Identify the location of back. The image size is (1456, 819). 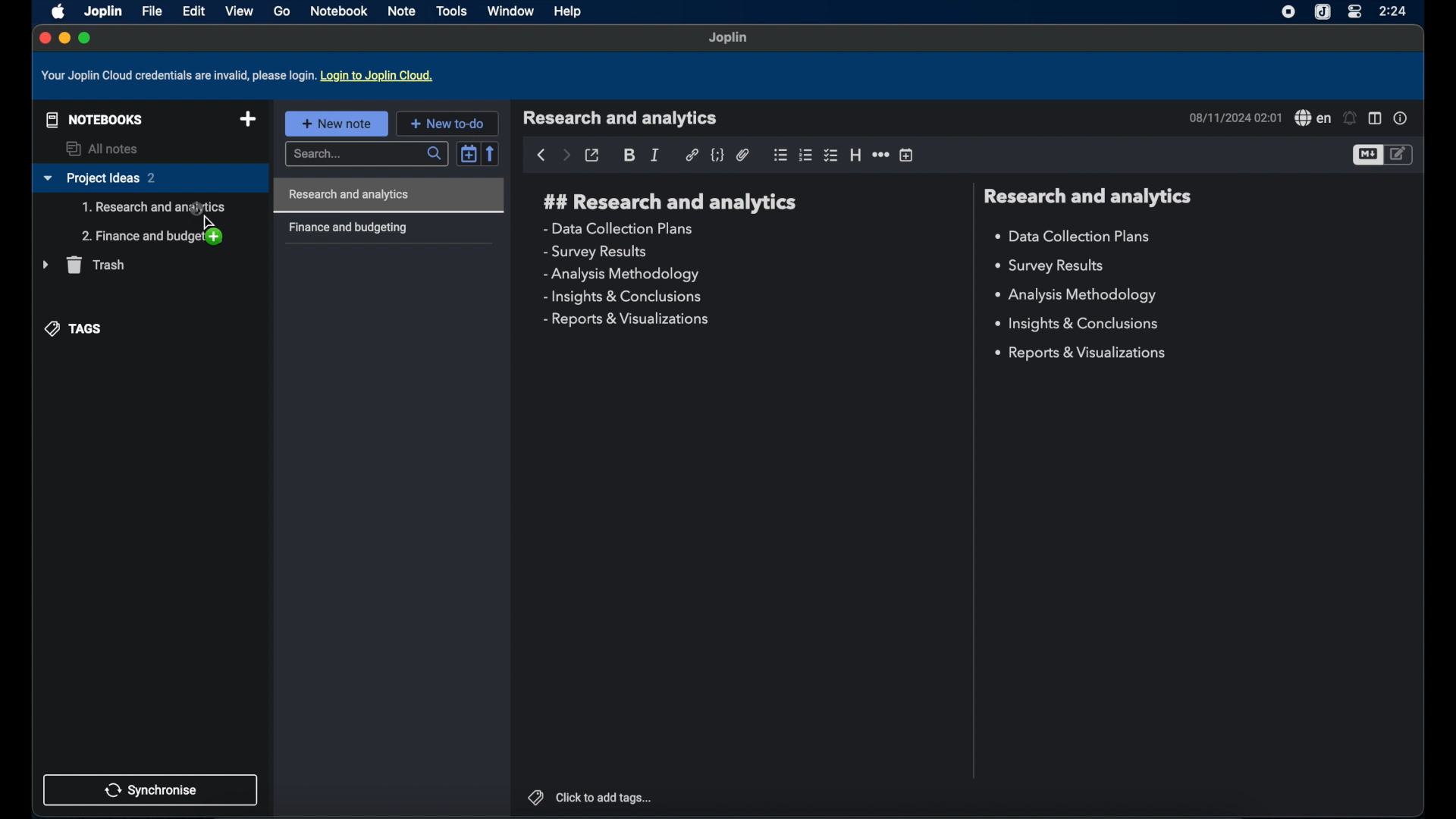
(541, 155).